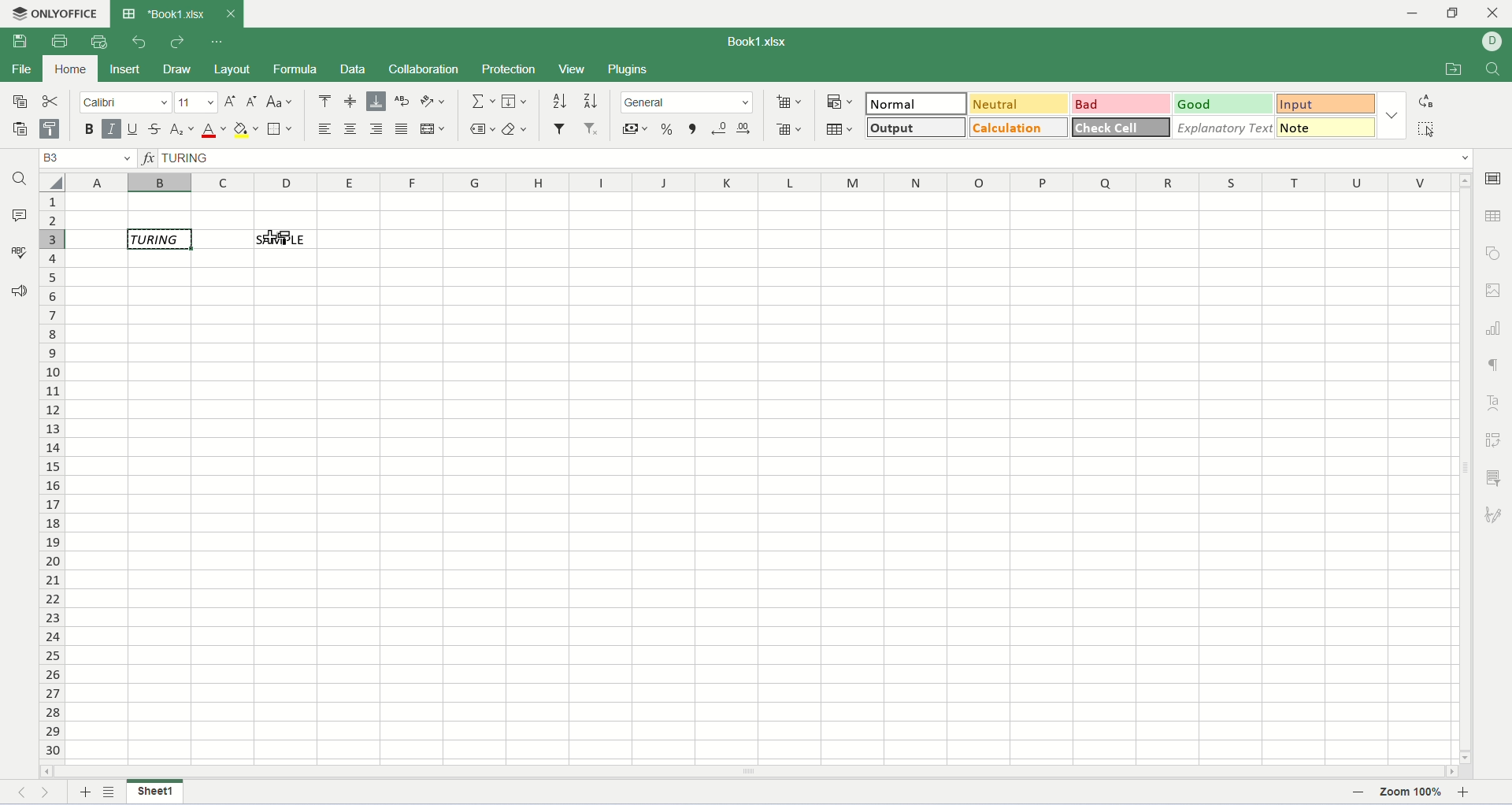 This screenshot has width=1512, height=805. What do you see at coordinates (694, 130) in the screenshot?
I see `comma style` at bounding box center [694, 130].